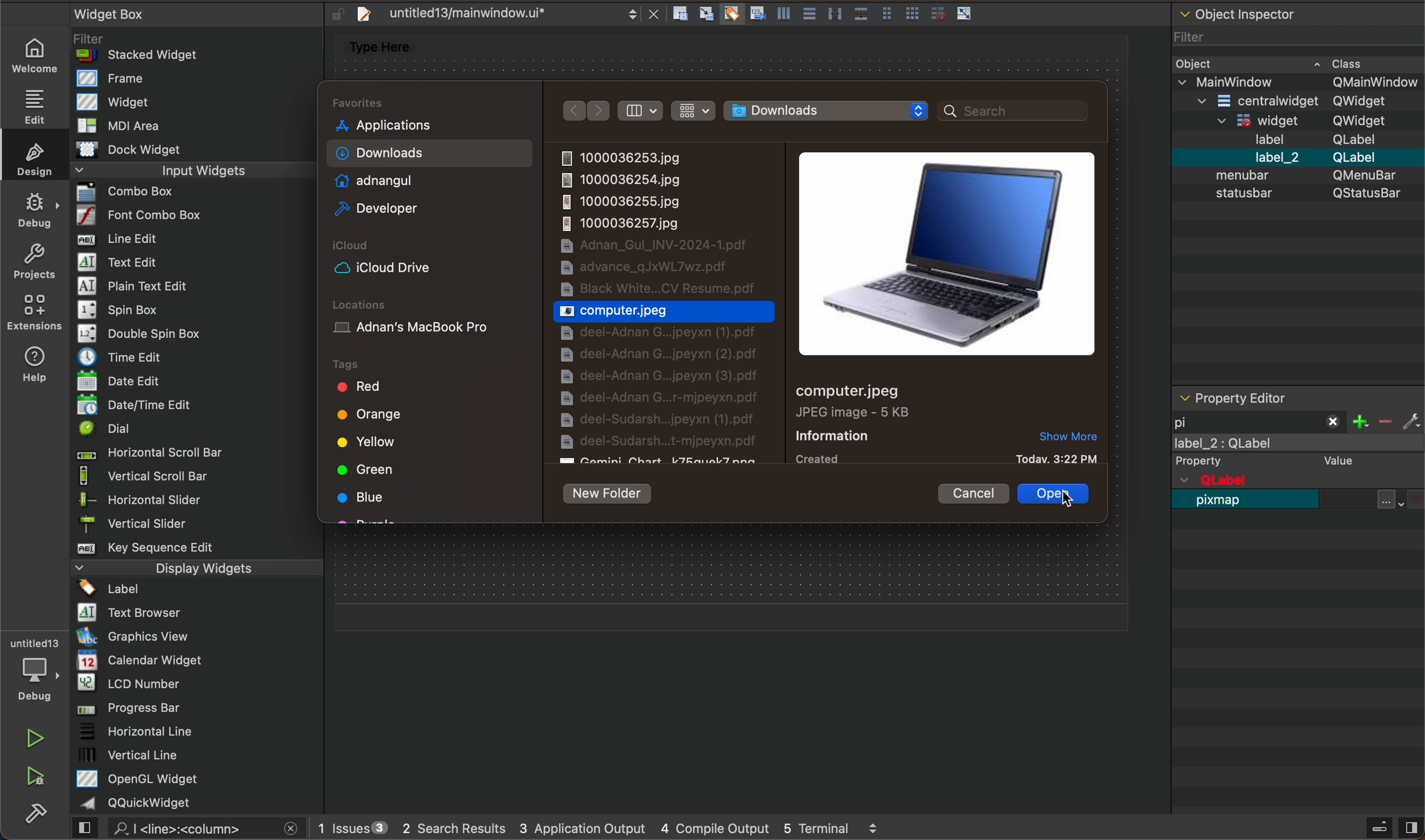 This screenshot has width=1425, height=840. I want to click on location, so click(427, 323).